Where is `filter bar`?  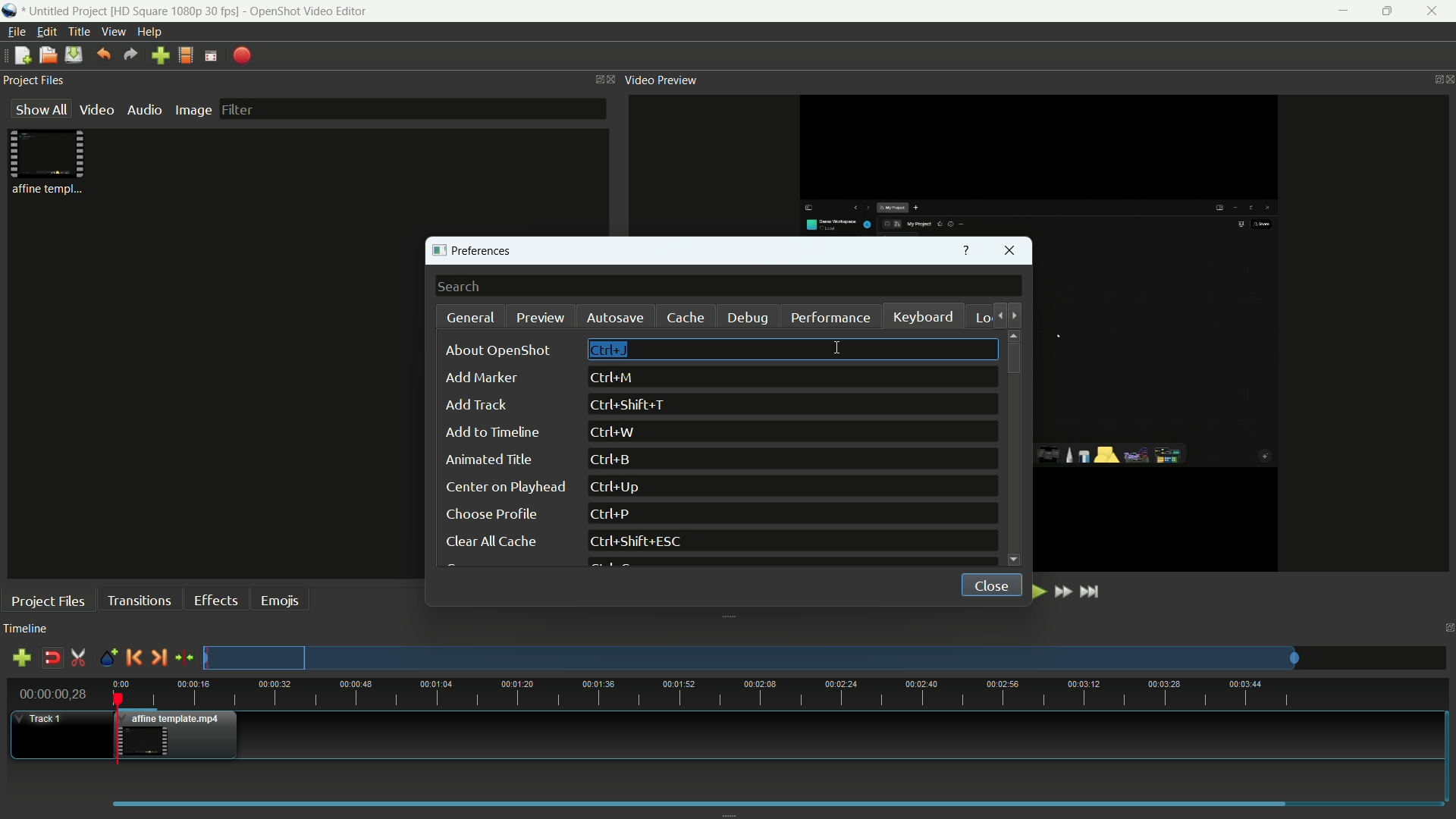 filter bar is located at coordinates (411, 108).